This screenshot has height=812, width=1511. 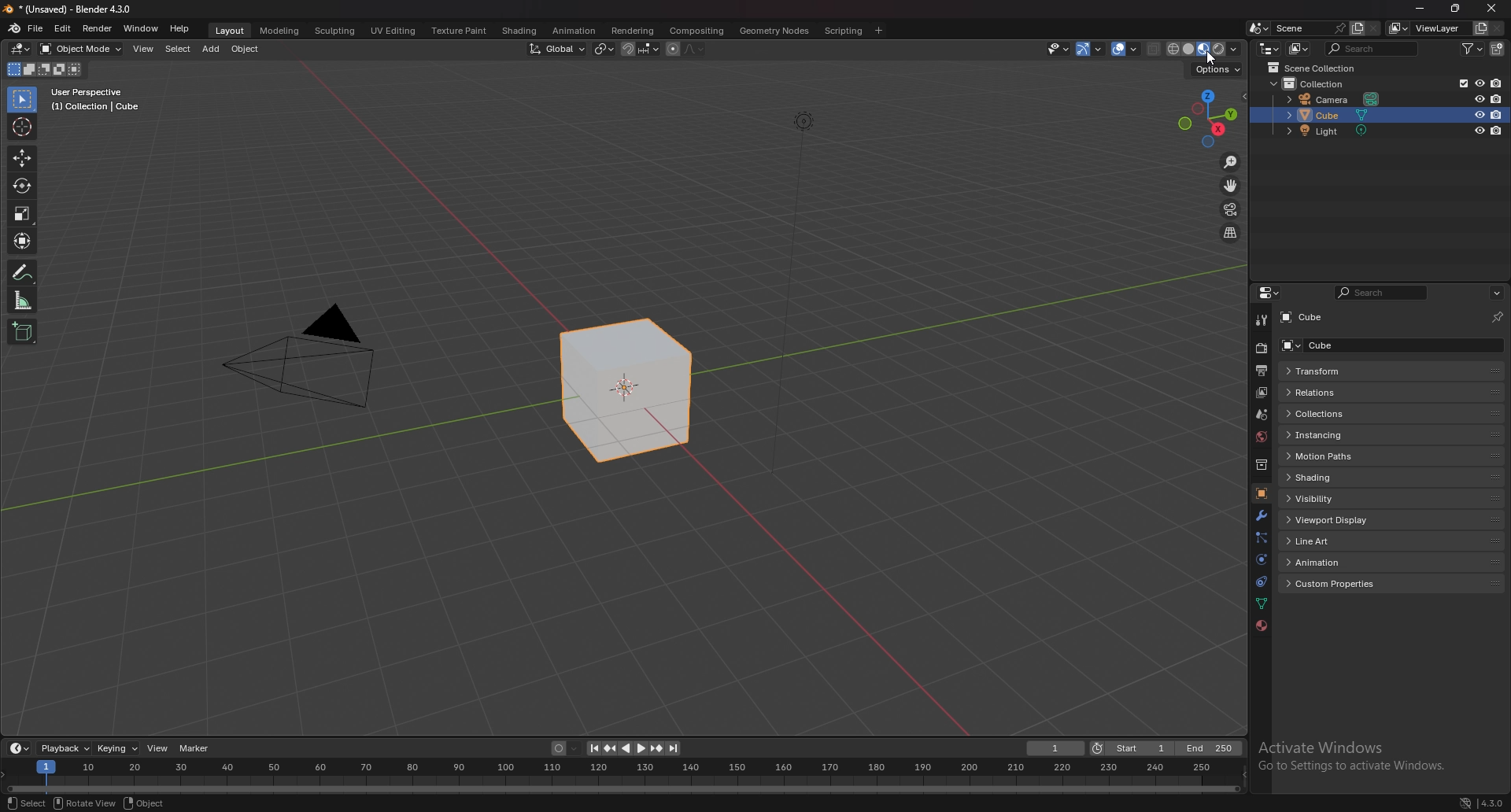 I want to click on scene collection, so click(x=1312, y=68).